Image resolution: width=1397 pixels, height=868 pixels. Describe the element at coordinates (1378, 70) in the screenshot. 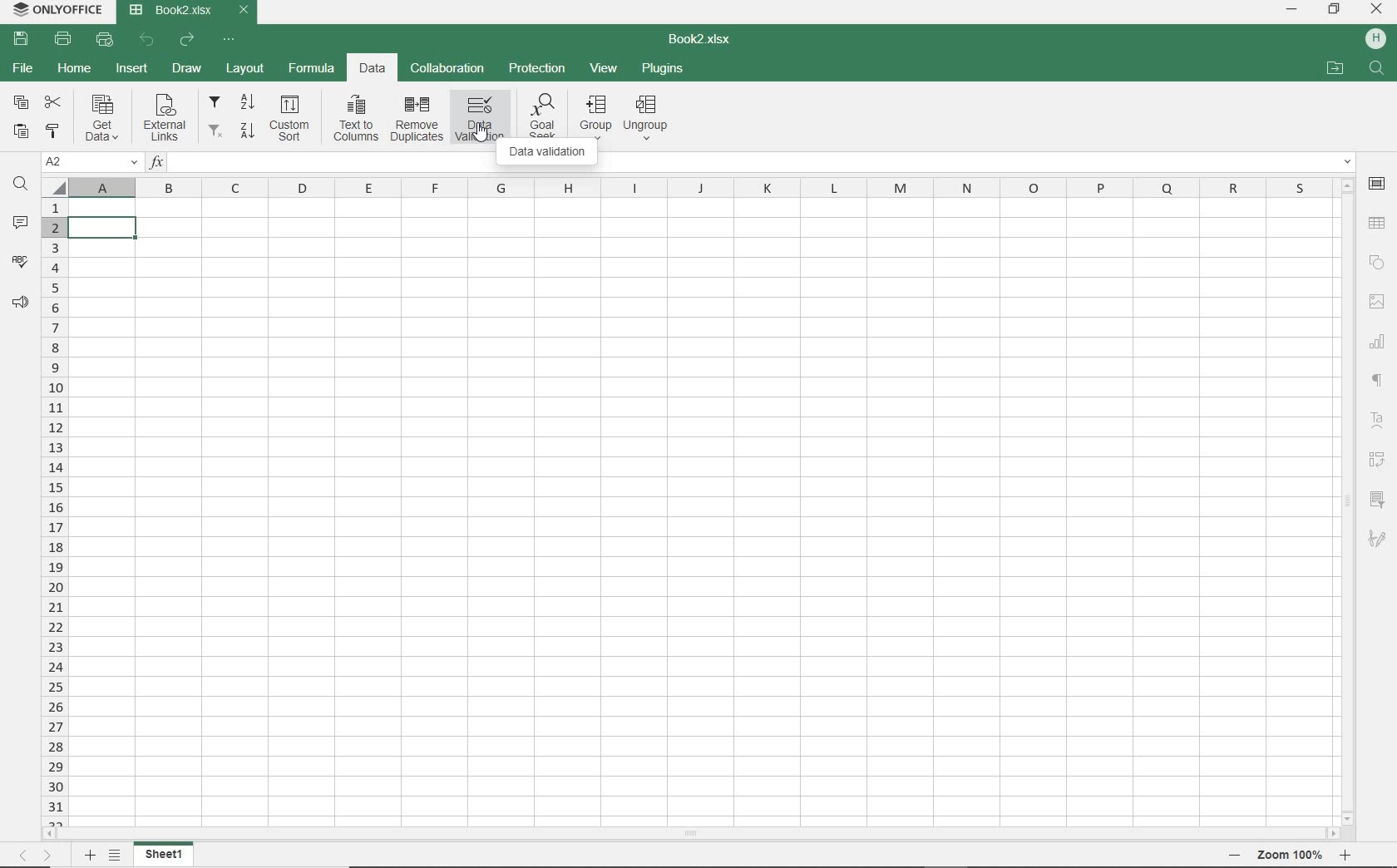

I see `FIND` at that location.